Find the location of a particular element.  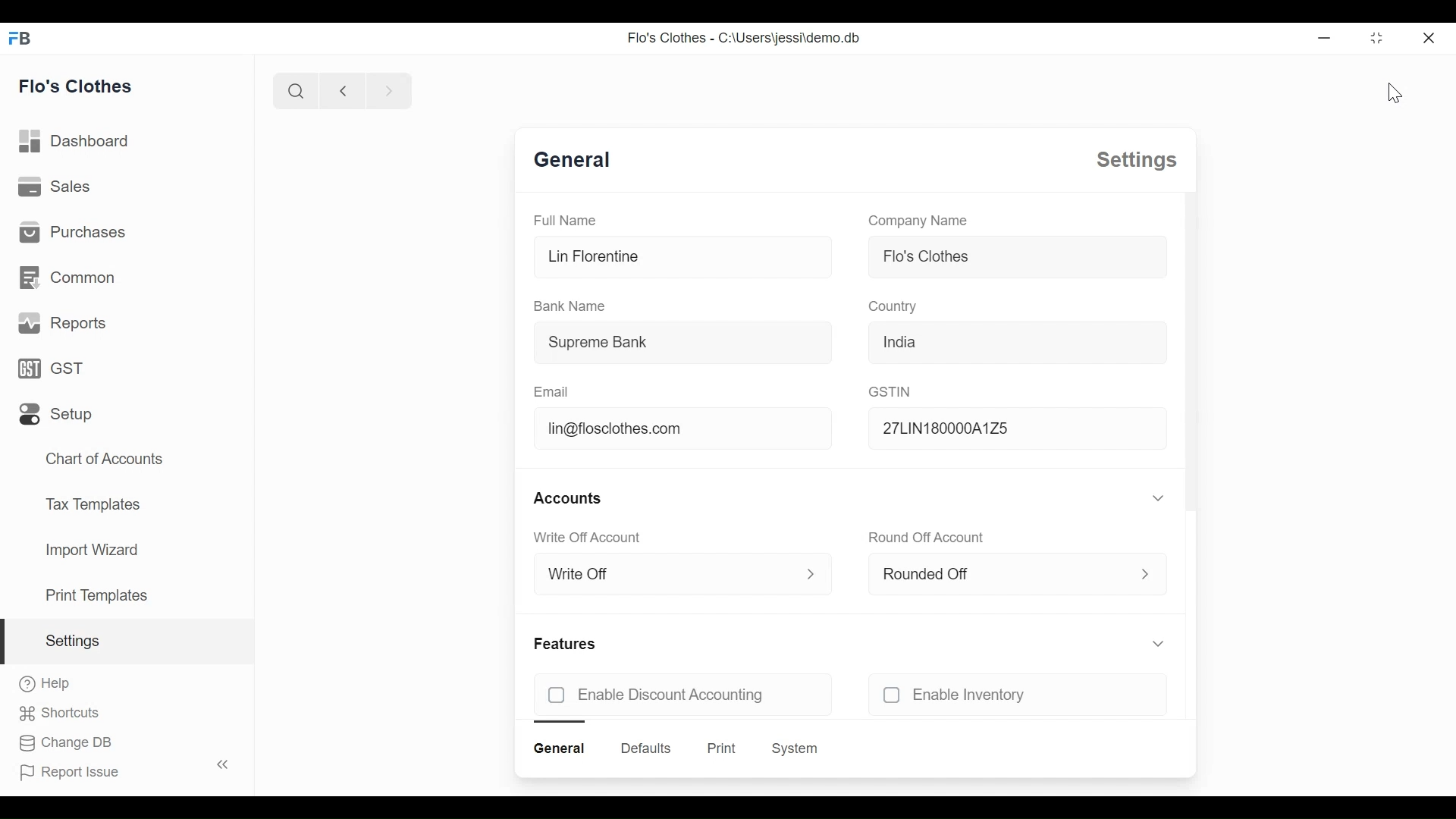

sales is located at coordinates (55, 185).